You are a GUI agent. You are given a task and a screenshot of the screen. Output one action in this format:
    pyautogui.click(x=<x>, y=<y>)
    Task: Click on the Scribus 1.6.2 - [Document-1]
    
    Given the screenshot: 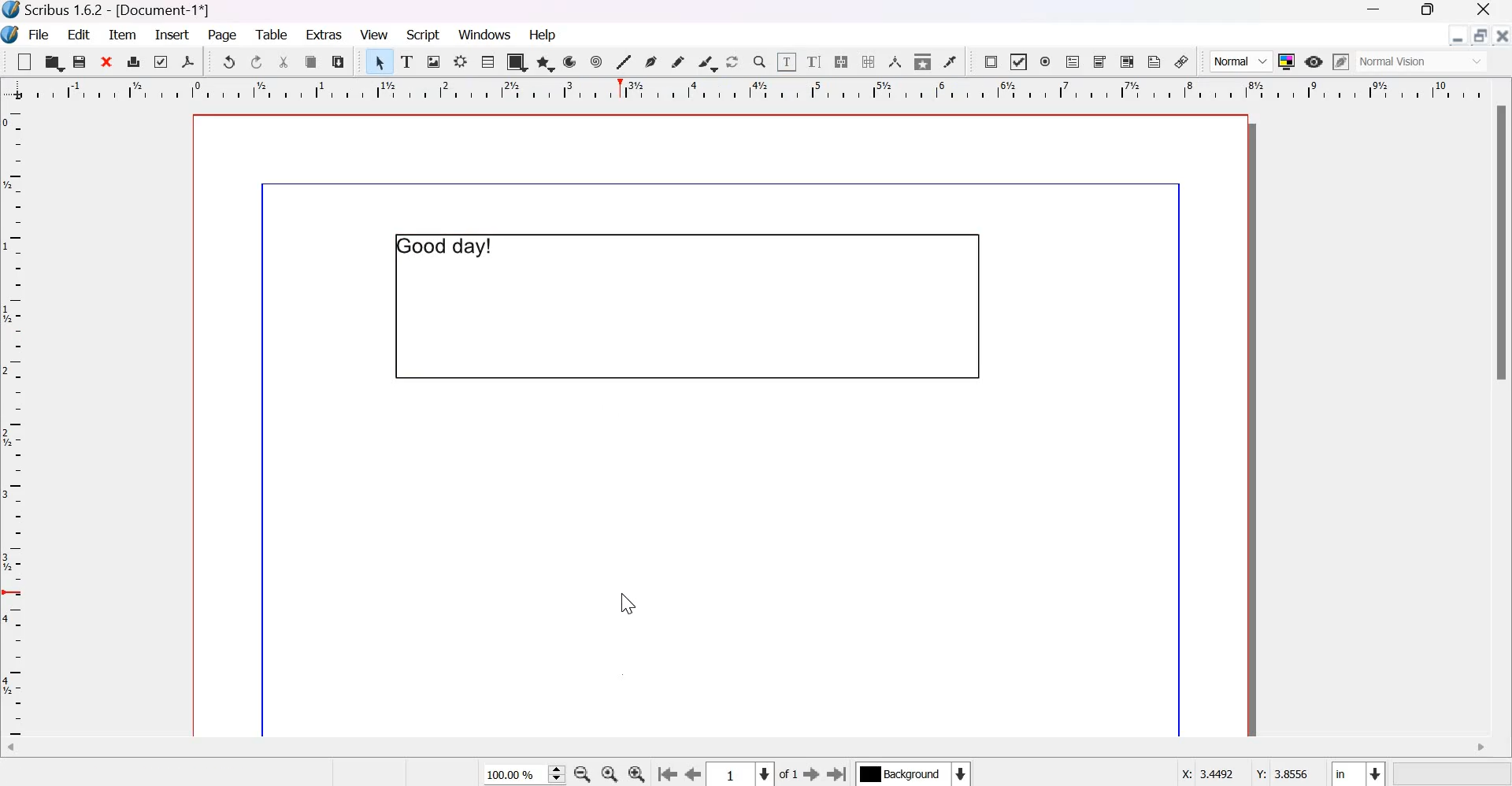 What is the action you would take?
    pyautogui.click(x=110, y=11)
    